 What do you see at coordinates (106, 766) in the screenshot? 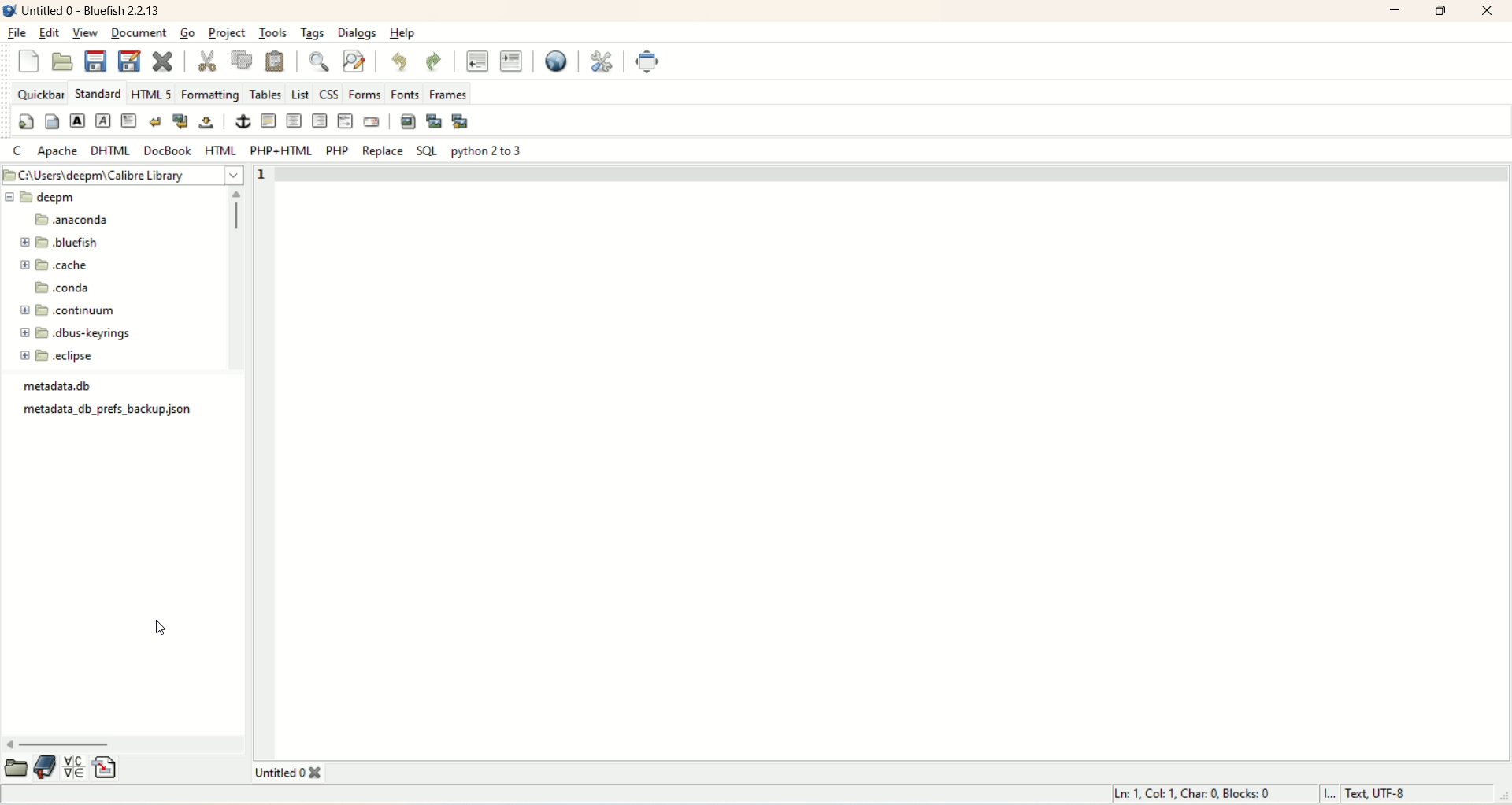
I see `insert file` at bounding box center [106, 766].